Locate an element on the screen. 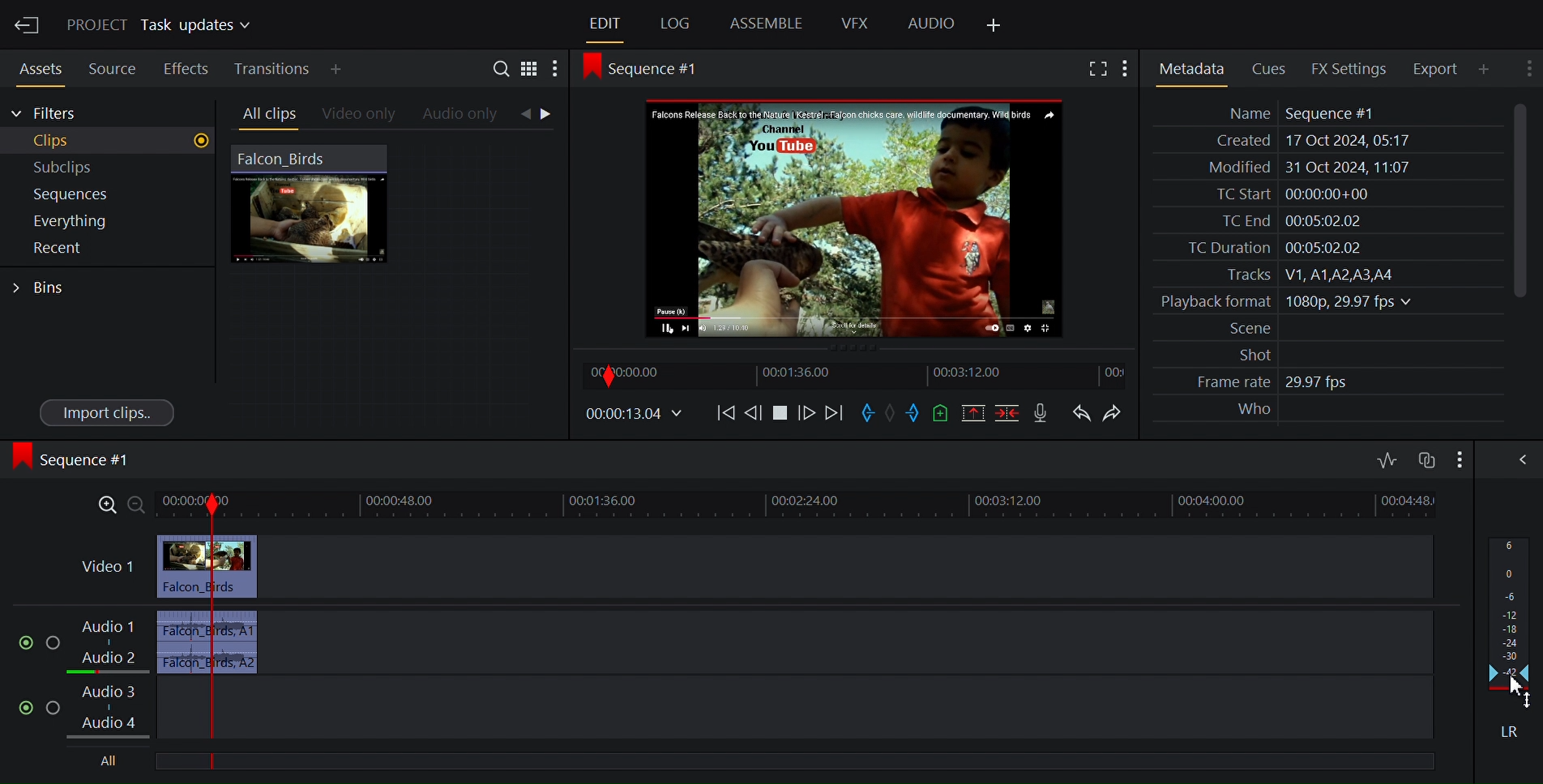  Move backwards is located at coordinates (724, 415).